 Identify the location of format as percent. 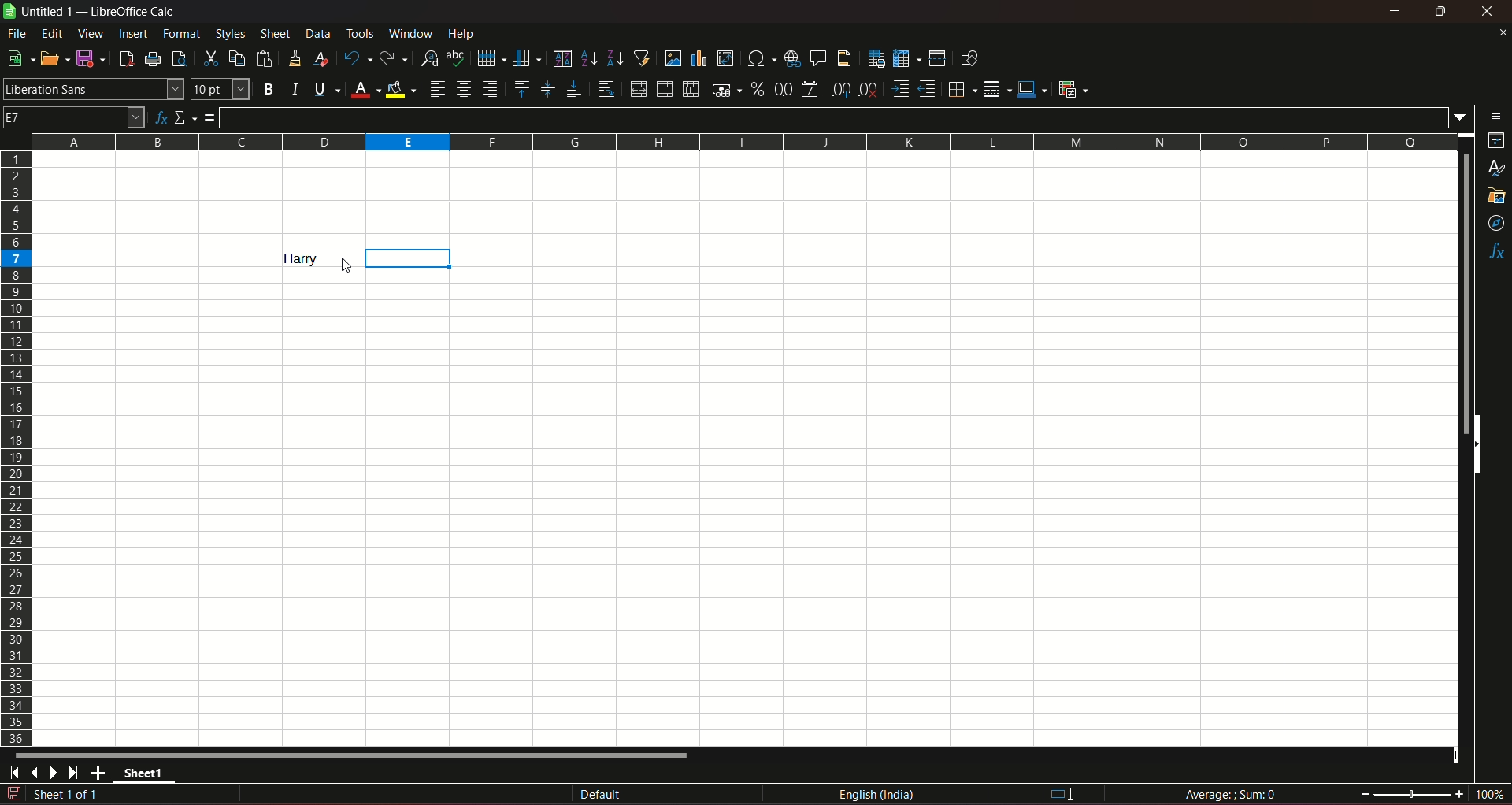
(757, 88).